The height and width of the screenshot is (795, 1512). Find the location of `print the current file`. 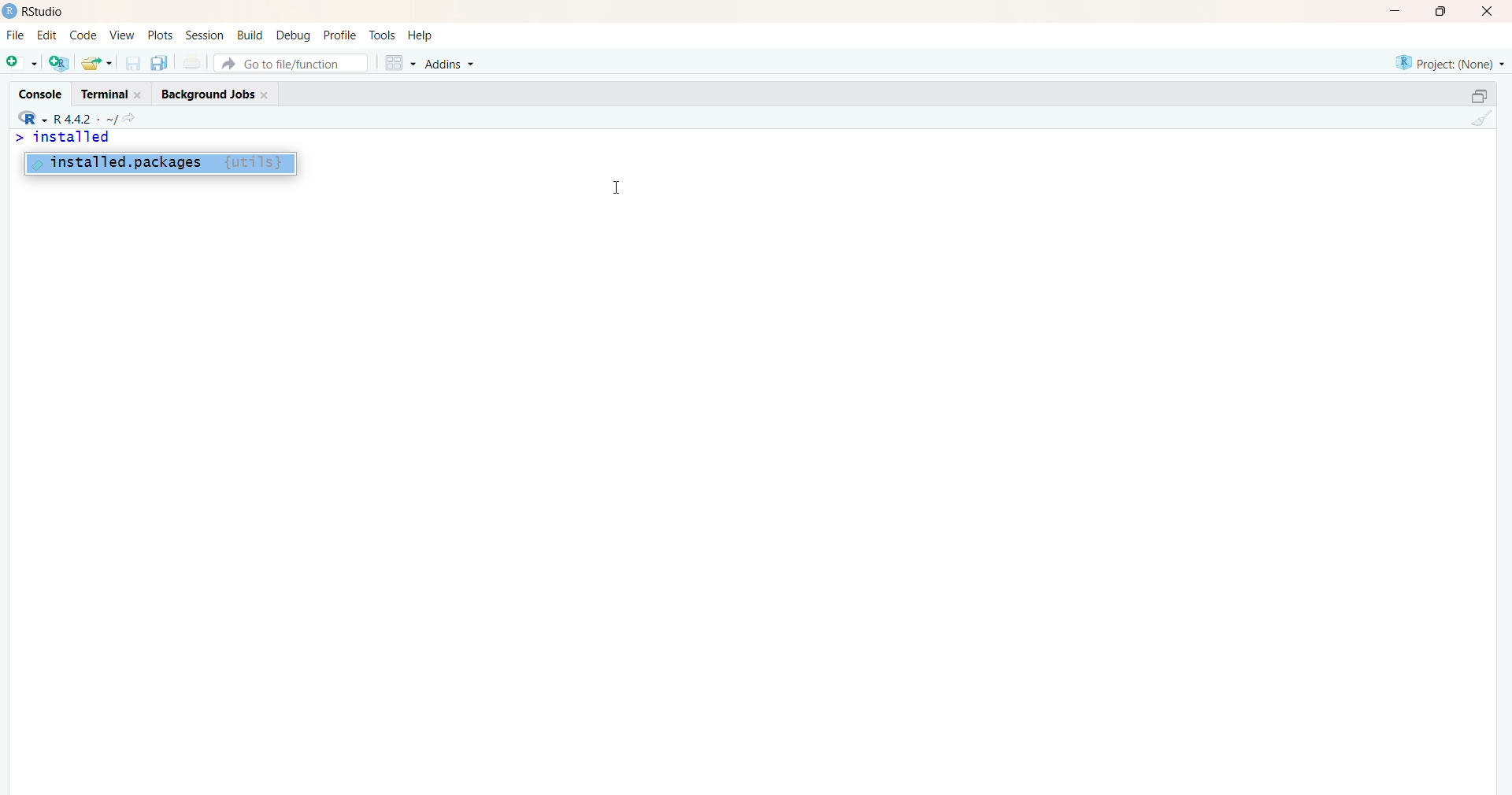

print the current file is located at coordinates (193, 64).